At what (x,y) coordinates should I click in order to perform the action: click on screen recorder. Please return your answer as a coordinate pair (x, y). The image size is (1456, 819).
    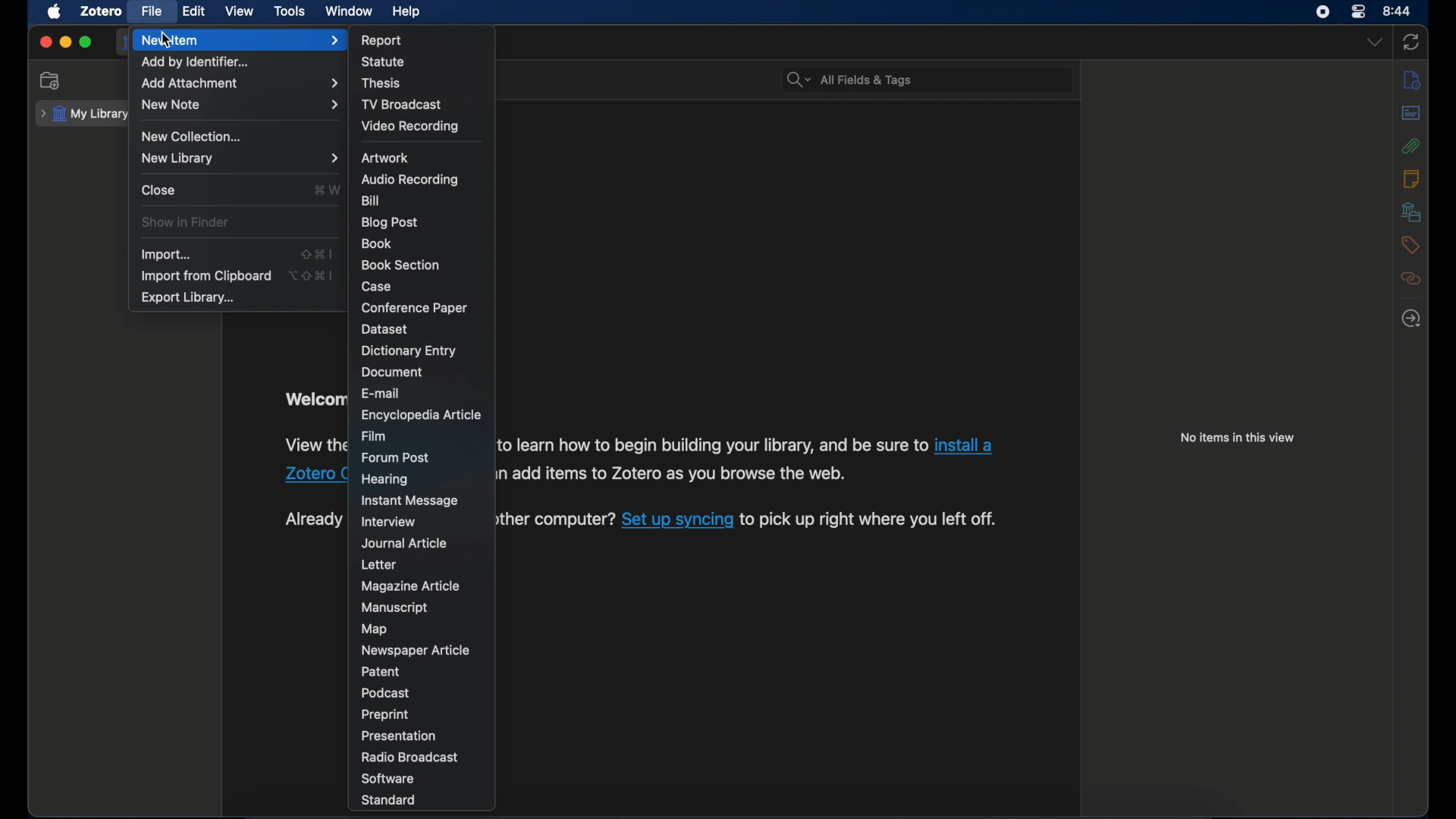
    Looking at the image, I should click on (1323, 12).